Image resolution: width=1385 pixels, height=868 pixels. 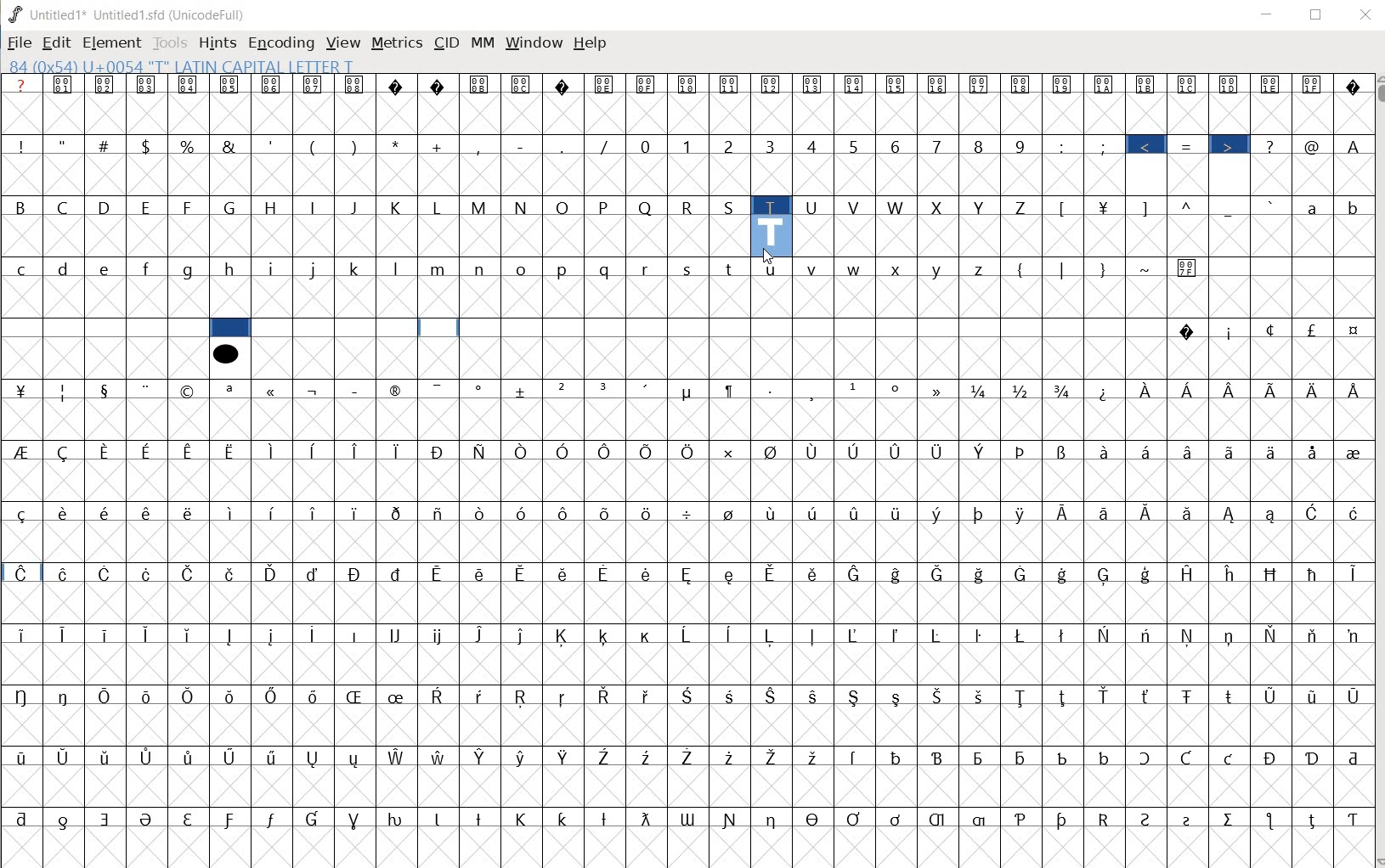 What do you see at coordinates (982, 696) in the screenshot?
I see `Symbol` at bounding box center [982, 696].